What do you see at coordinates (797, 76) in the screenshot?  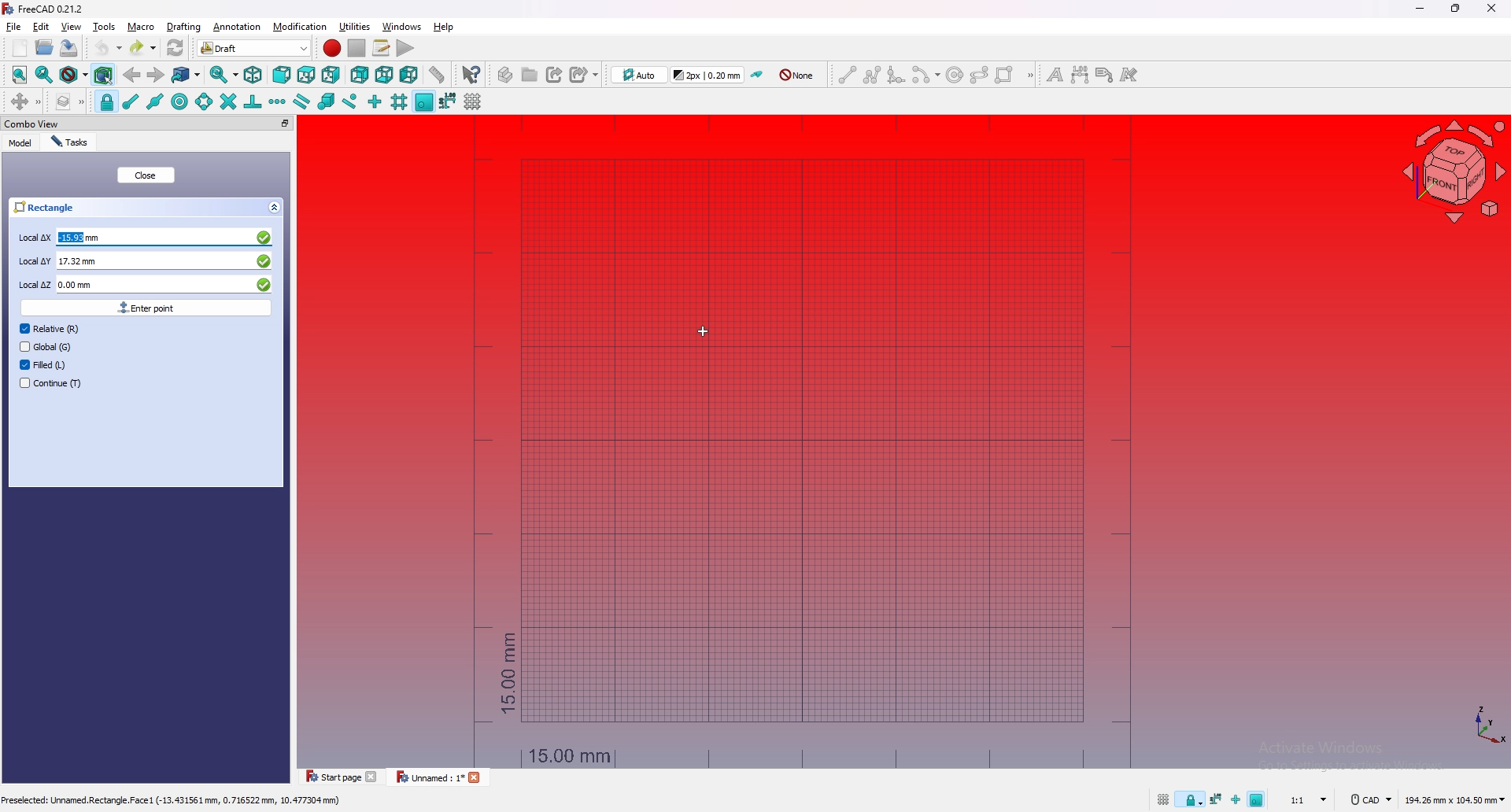 I see `auto group` at bounding box center [797, 76].